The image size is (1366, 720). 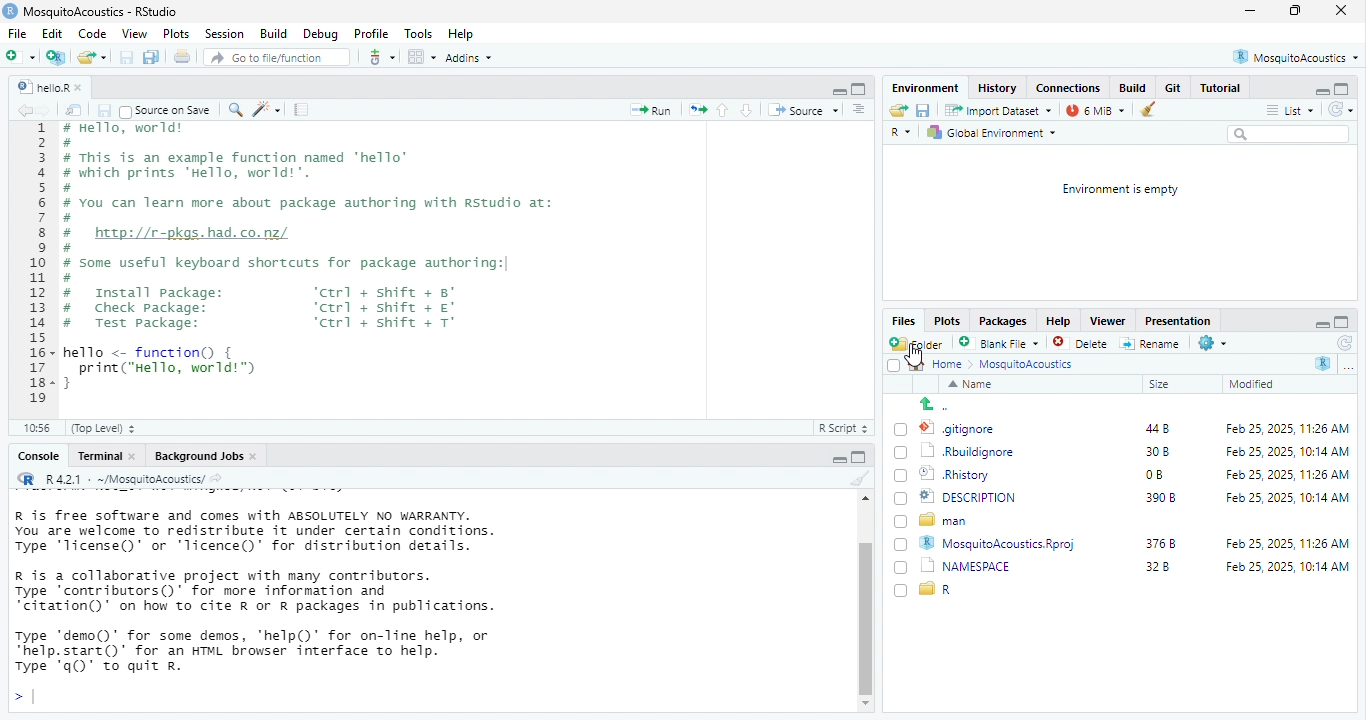 I want to click on Help, so click(x=1057, y=322).